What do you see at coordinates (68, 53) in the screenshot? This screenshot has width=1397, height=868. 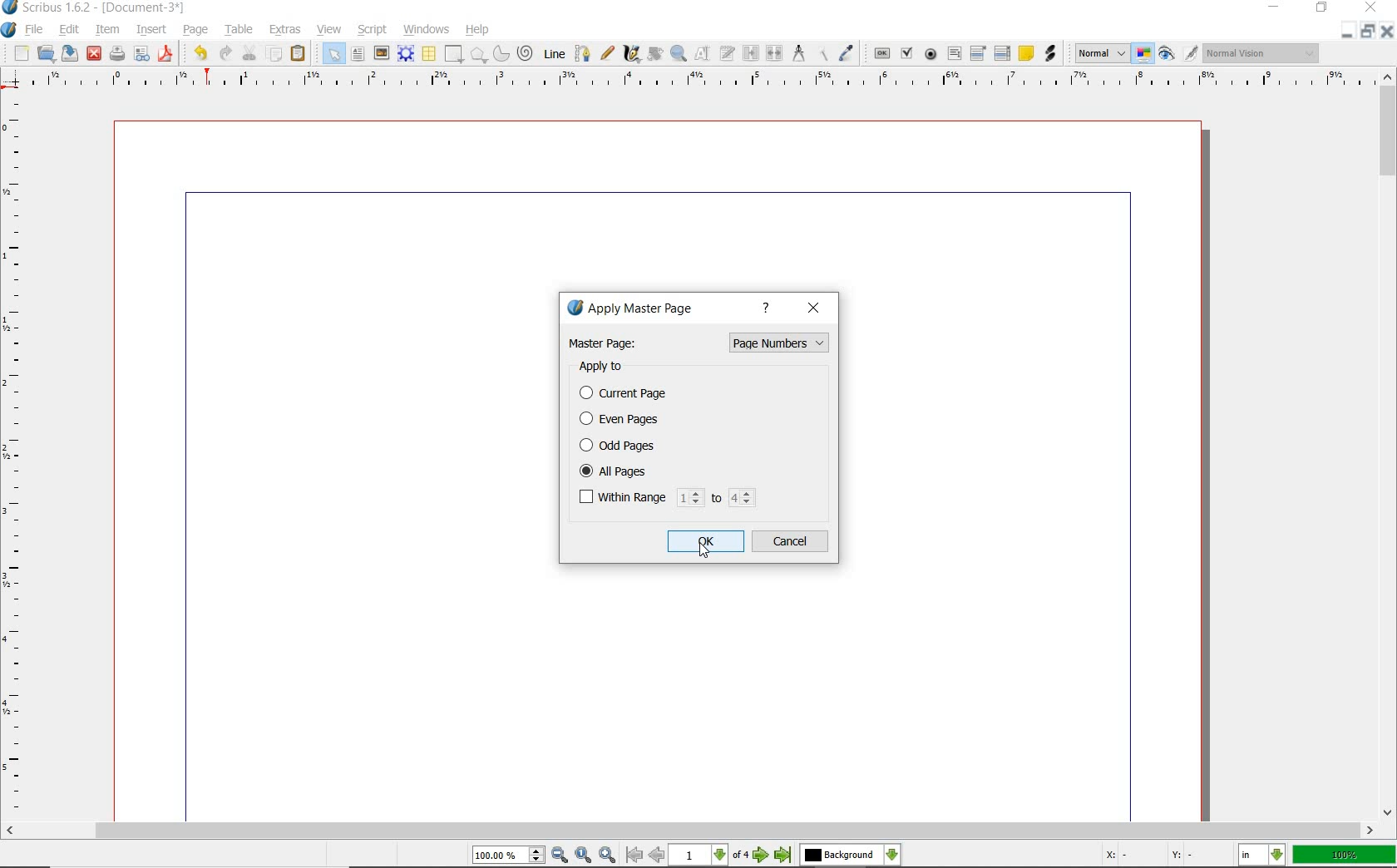 I see `save` at bounding box center [68, 53].